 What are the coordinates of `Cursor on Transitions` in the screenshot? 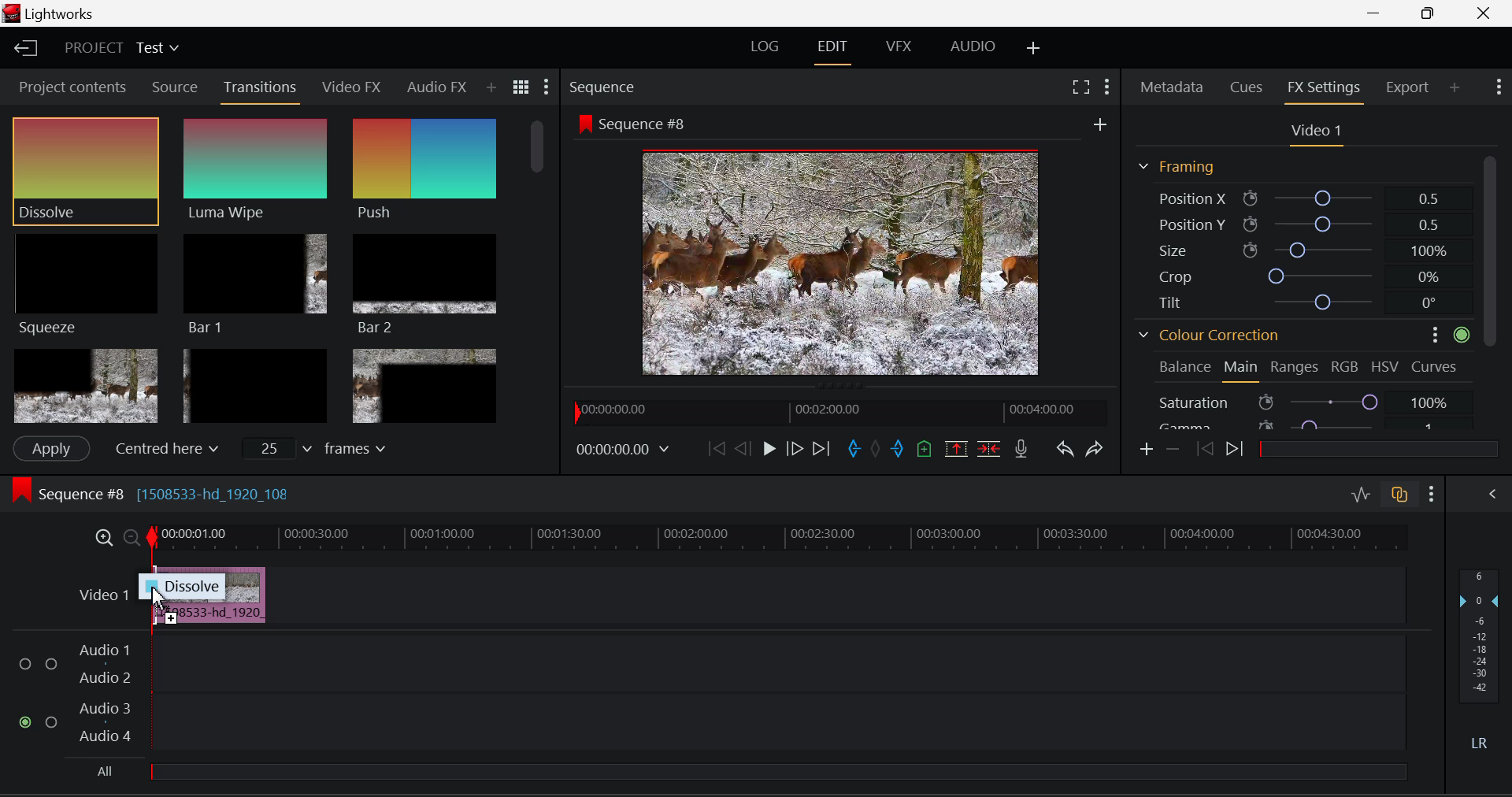 It's located at (261, 89).